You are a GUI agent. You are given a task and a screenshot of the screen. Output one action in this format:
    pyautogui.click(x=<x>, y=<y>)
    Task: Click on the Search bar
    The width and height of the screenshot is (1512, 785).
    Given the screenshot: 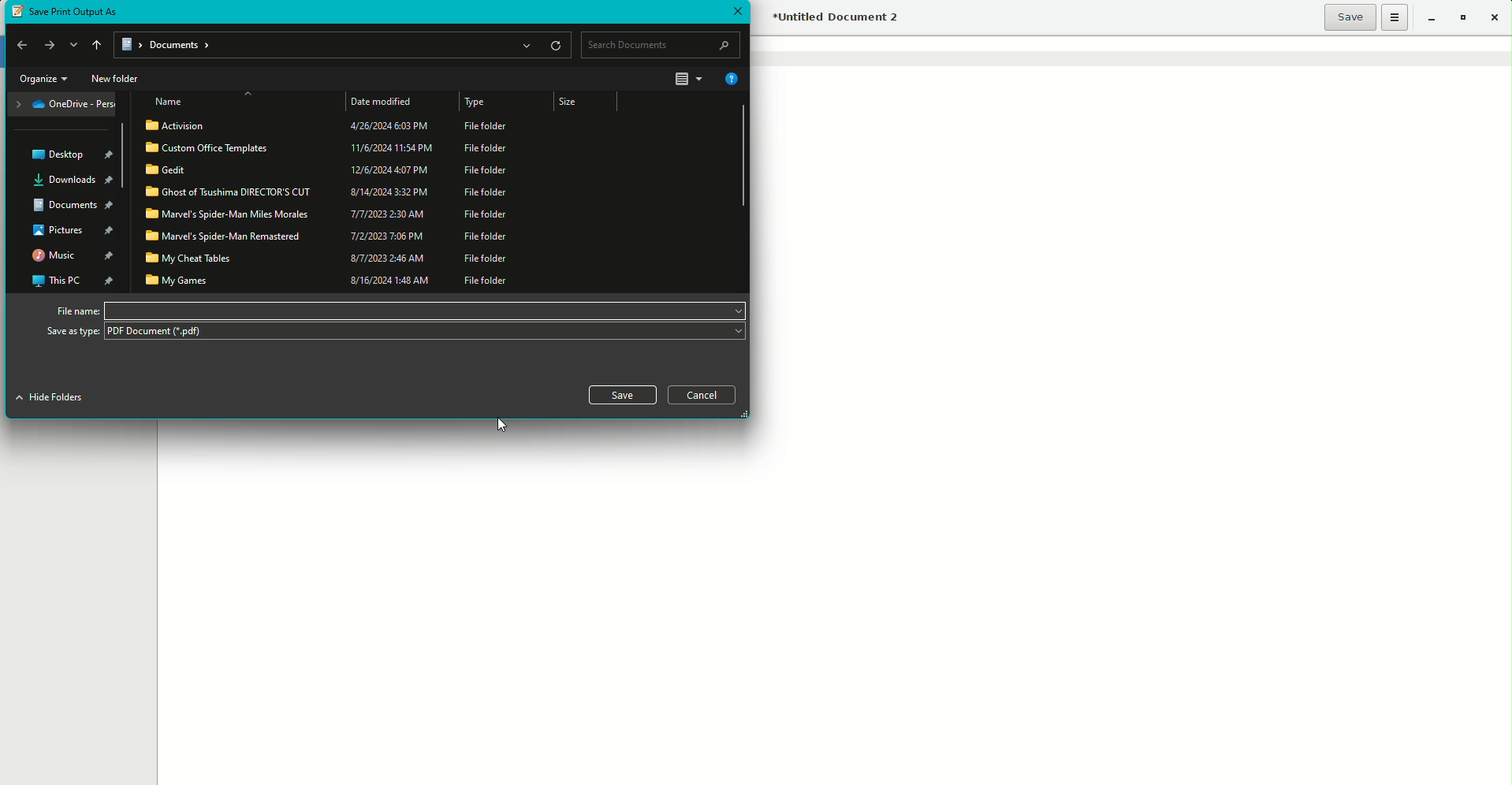 What is the action you would take?
    pyautogui.click(x=661, y=45)
    